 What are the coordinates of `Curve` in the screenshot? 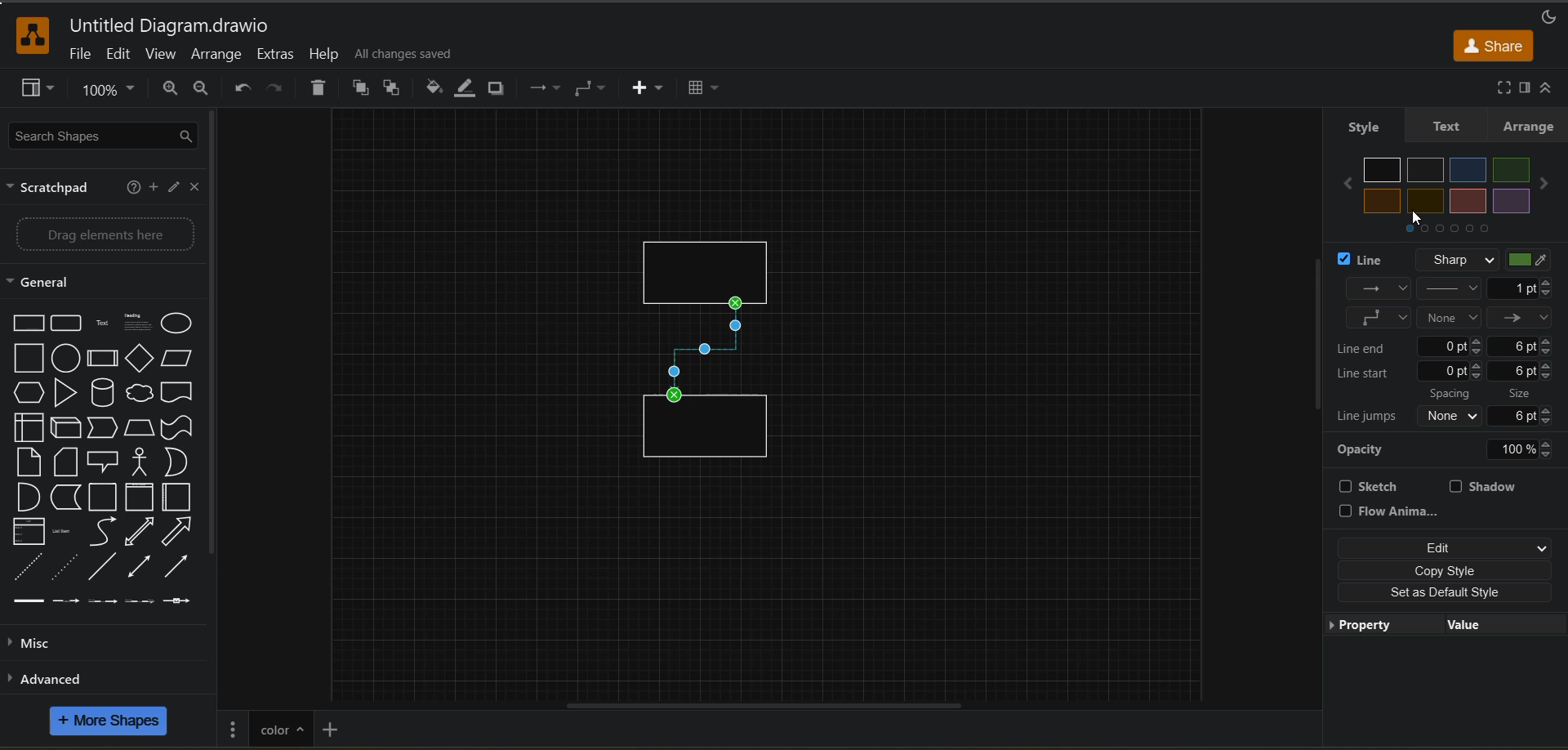 It's located at (105, 533).